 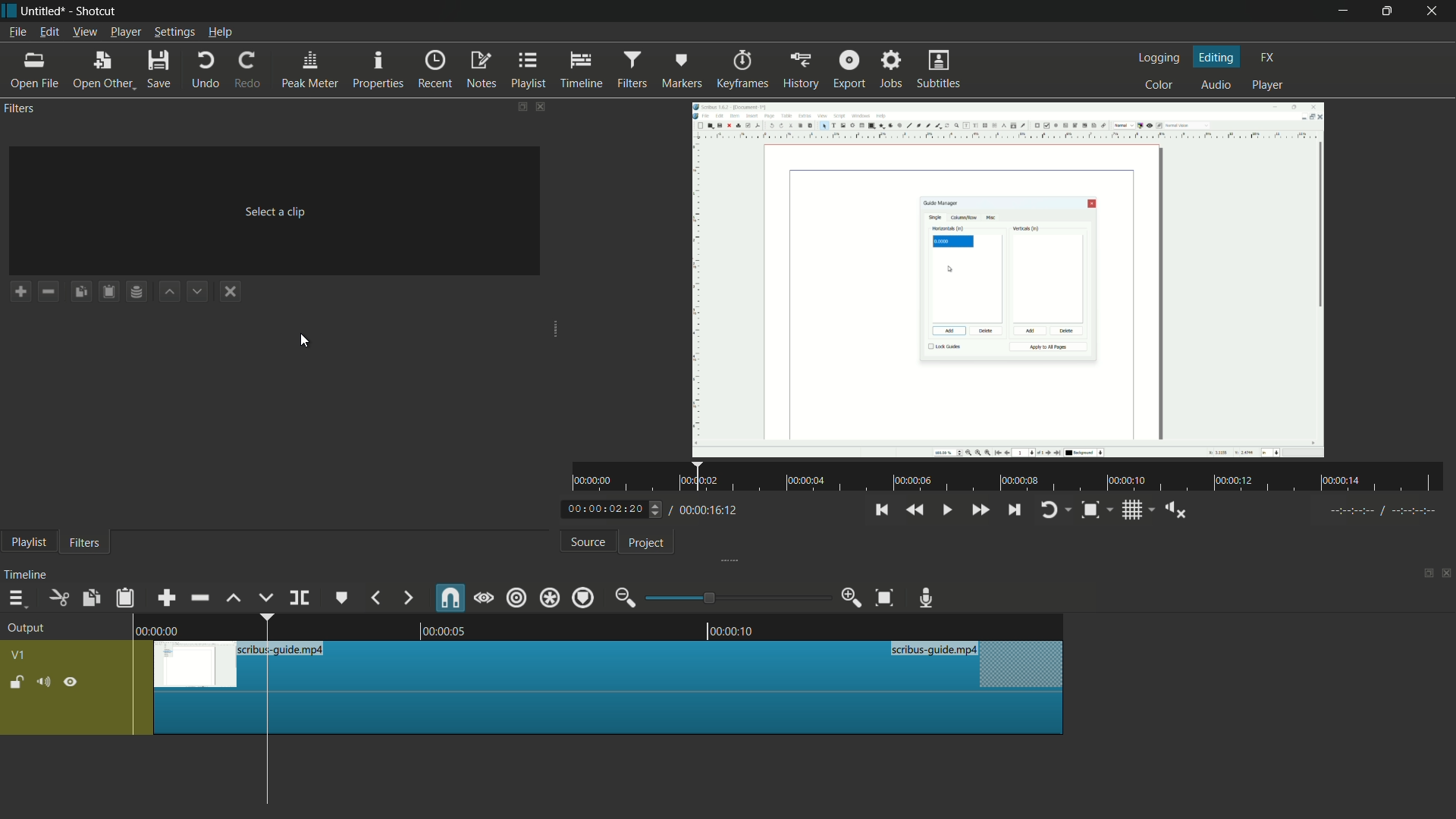 I want to click on timeline, so click(x=583, y=70).